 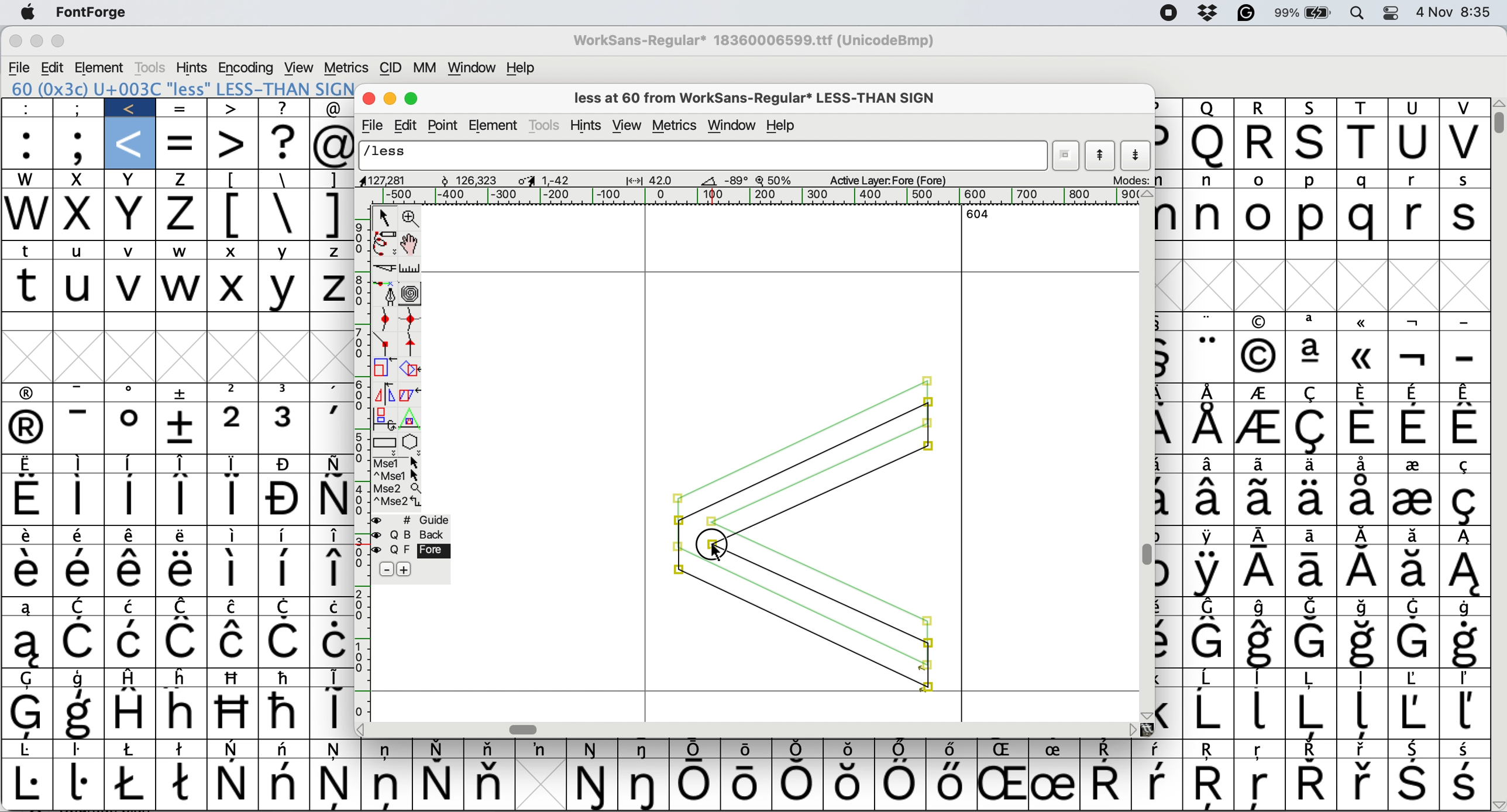 What do you see at coordinates (1312, 642) in the screenshot?
I see `Symbol` at bounding box center [1312, 642].